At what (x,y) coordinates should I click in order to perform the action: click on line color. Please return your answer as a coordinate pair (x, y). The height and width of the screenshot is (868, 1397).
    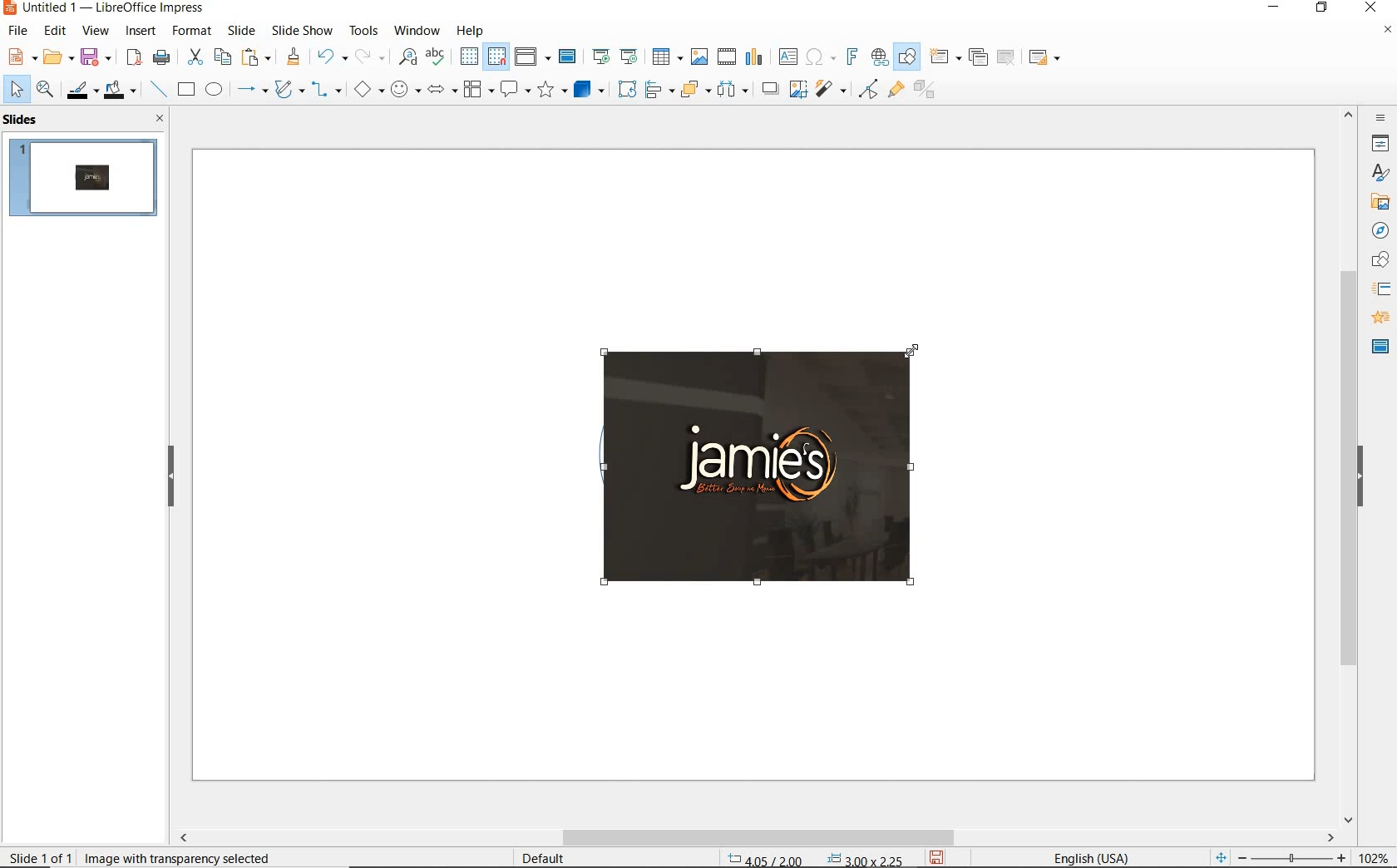
    Looking at the image, I should click on (81, 90).